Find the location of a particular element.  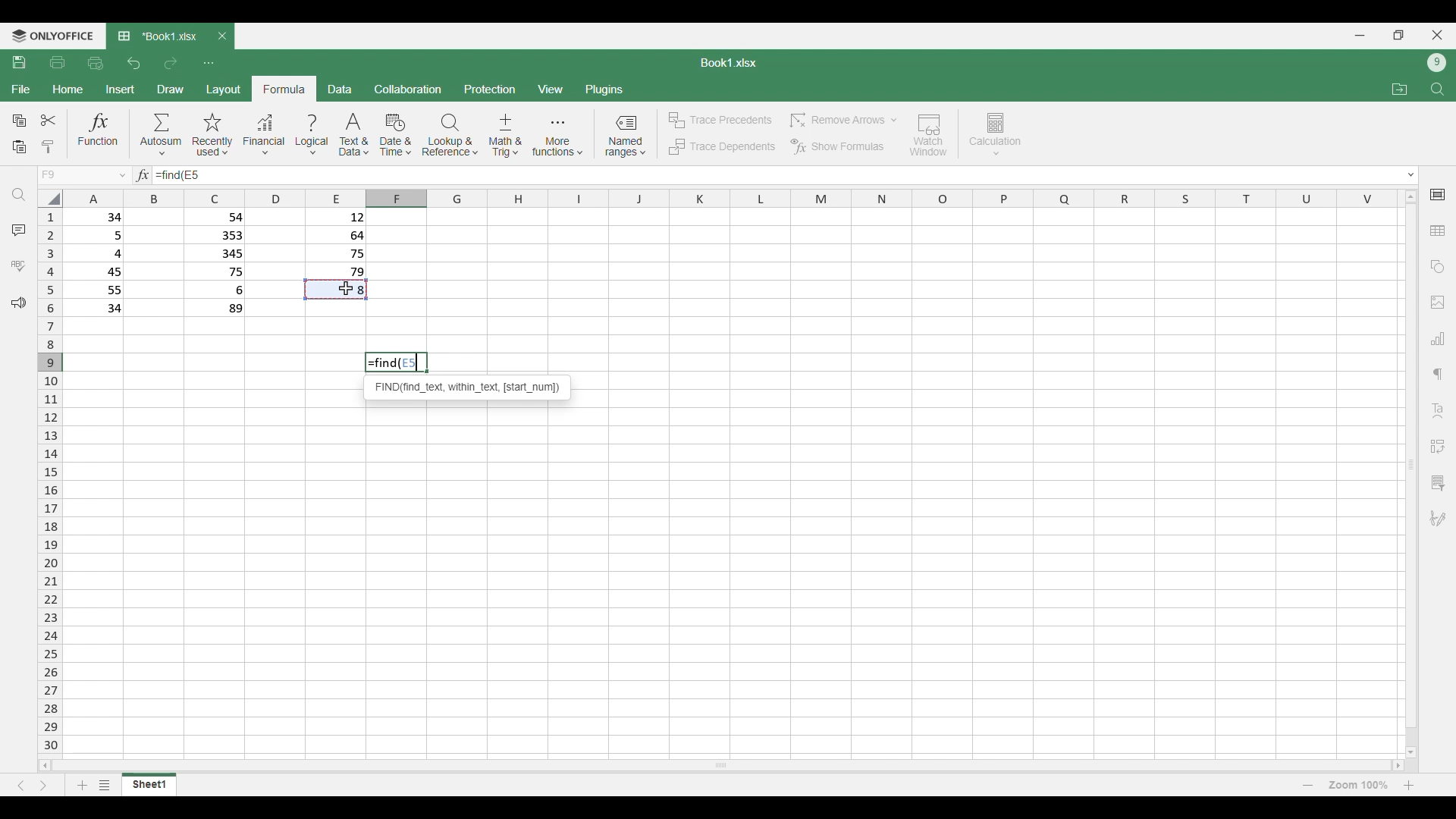

Choose cell name is located at coordinates (82, 175).